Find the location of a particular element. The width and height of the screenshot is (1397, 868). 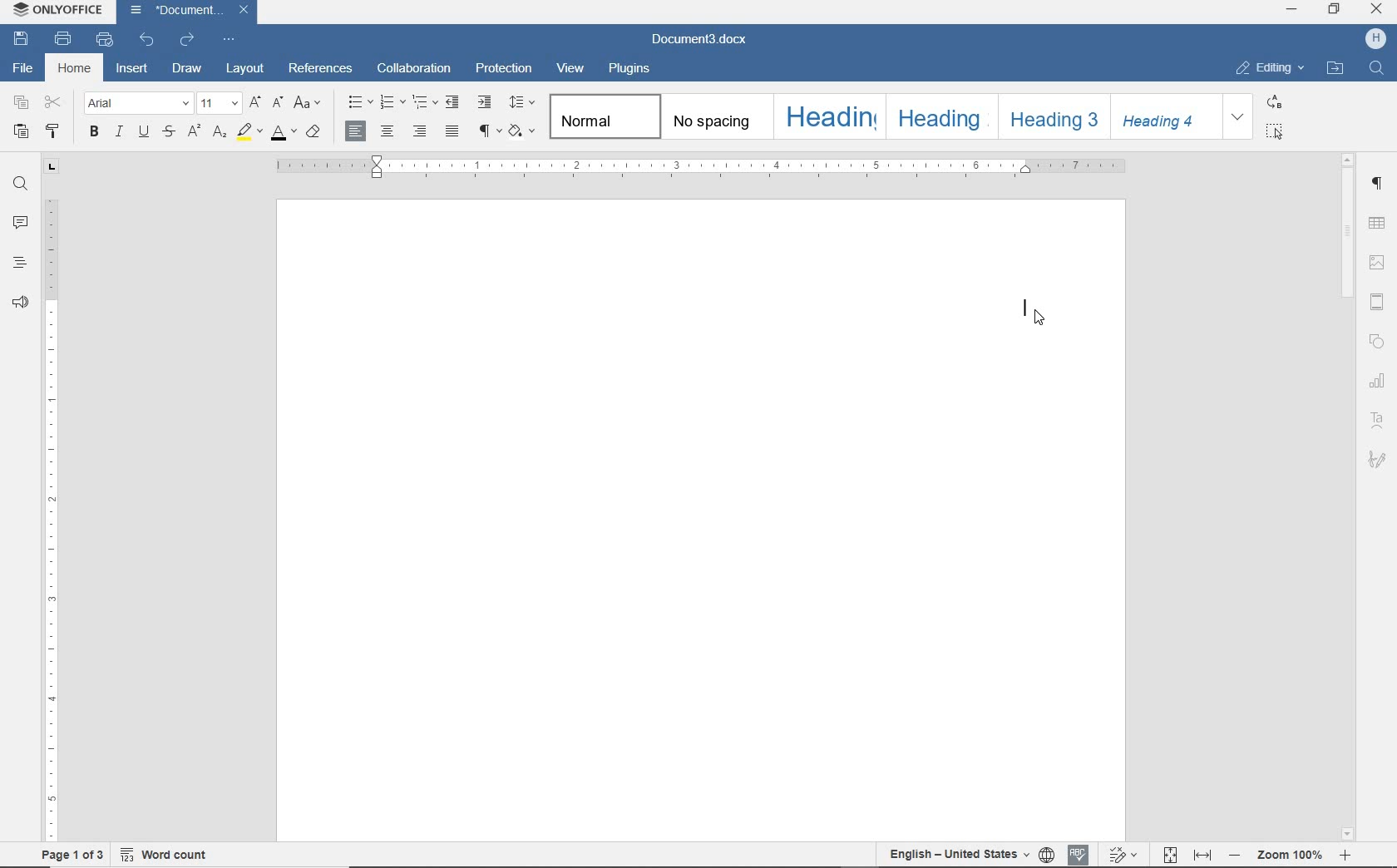

SET DOCUMENT LANGUAGE is located at coordinates (1048, 855).